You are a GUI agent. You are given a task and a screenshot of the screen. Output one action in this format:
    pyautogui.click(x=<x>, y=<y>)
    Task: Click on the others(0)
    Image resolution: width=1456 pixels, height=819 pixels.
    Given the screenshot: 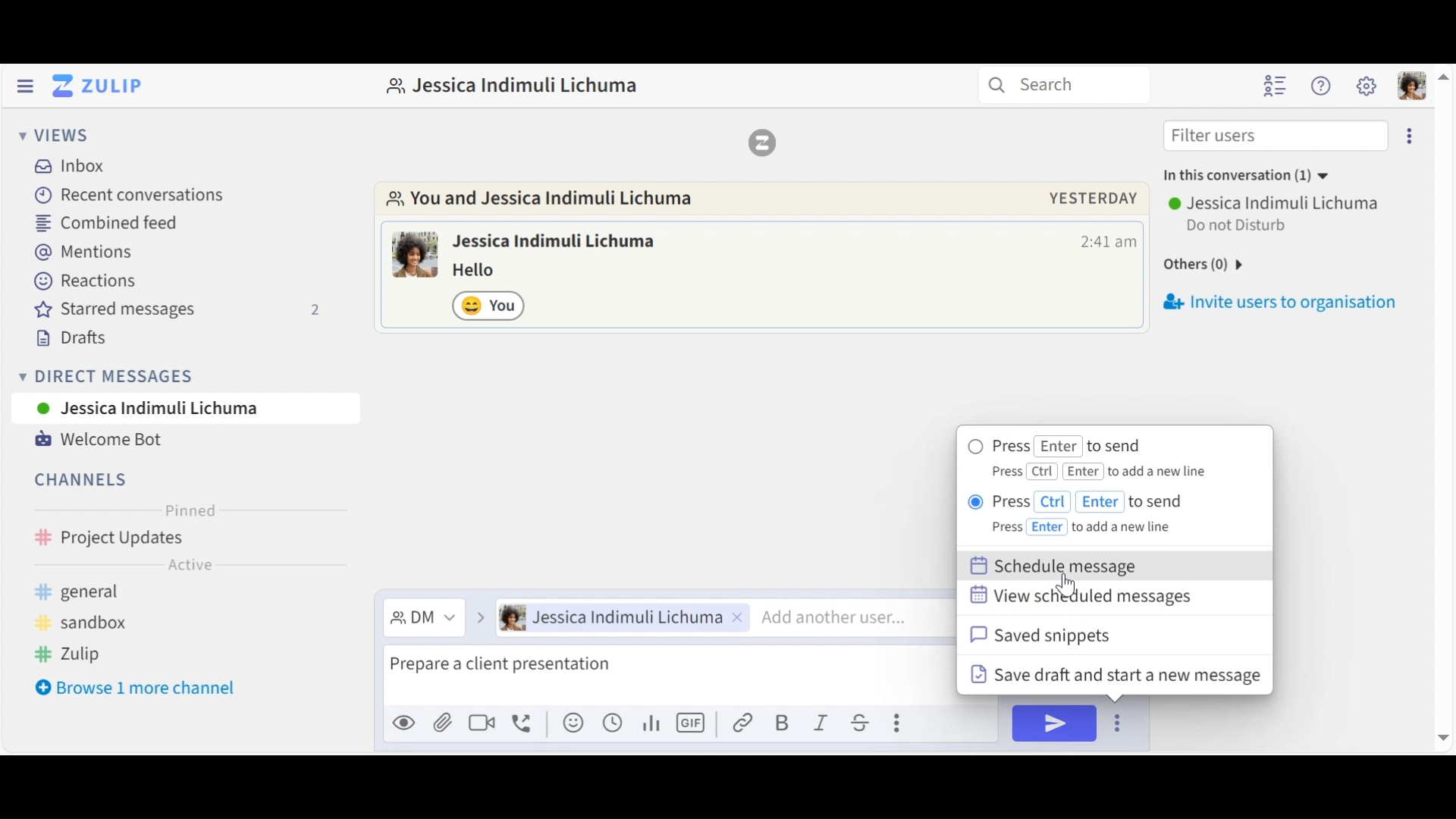 What is the action you would take?
    pyautogui.click(x=1229, y=262)
    